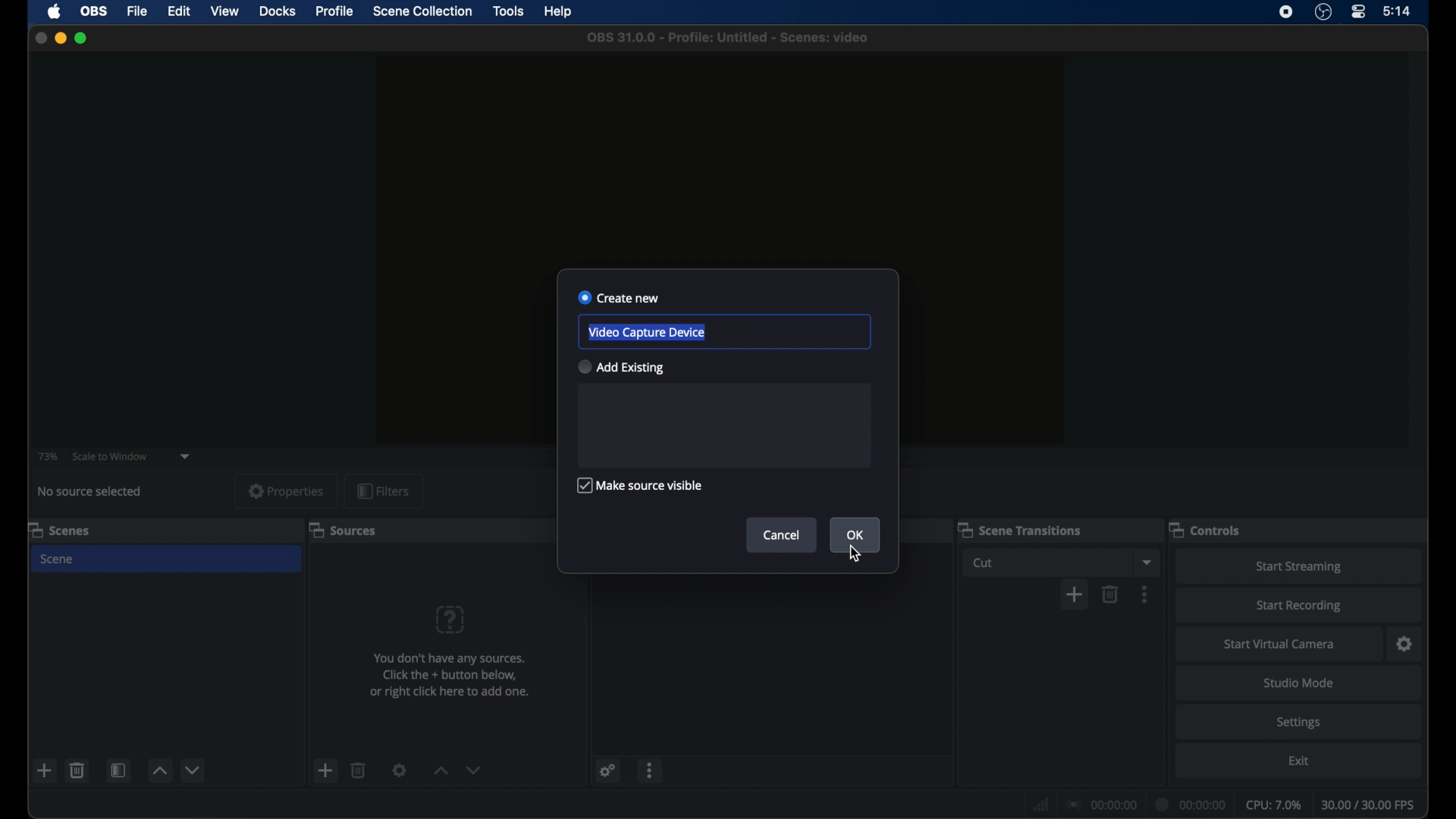 This screenshot has height=819, width=1456. Describe the element at coordinates (1075, 595) in the screenshot. I see `add` at that location.